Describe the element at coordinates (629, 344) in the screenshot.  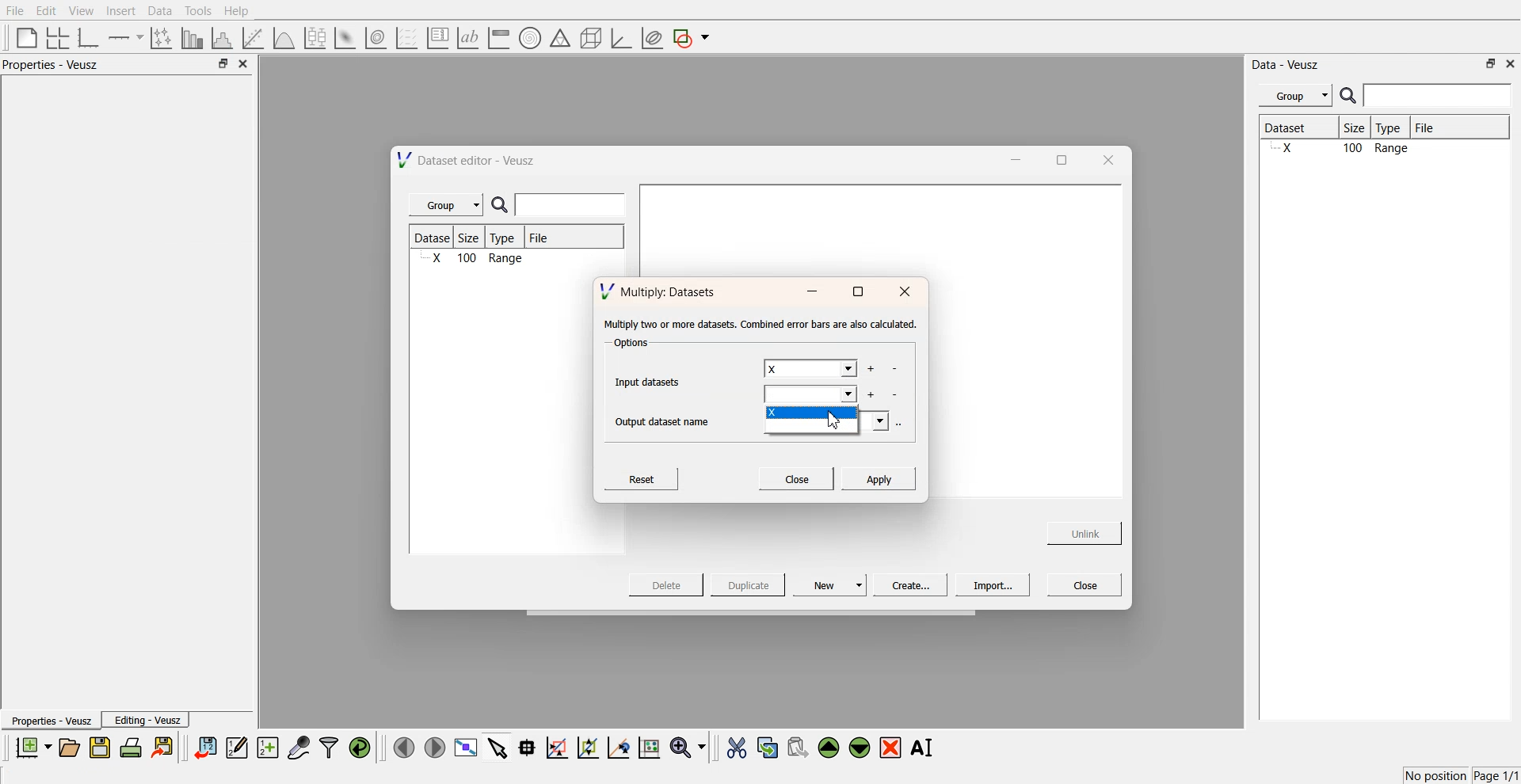
I see `Options` at that location.